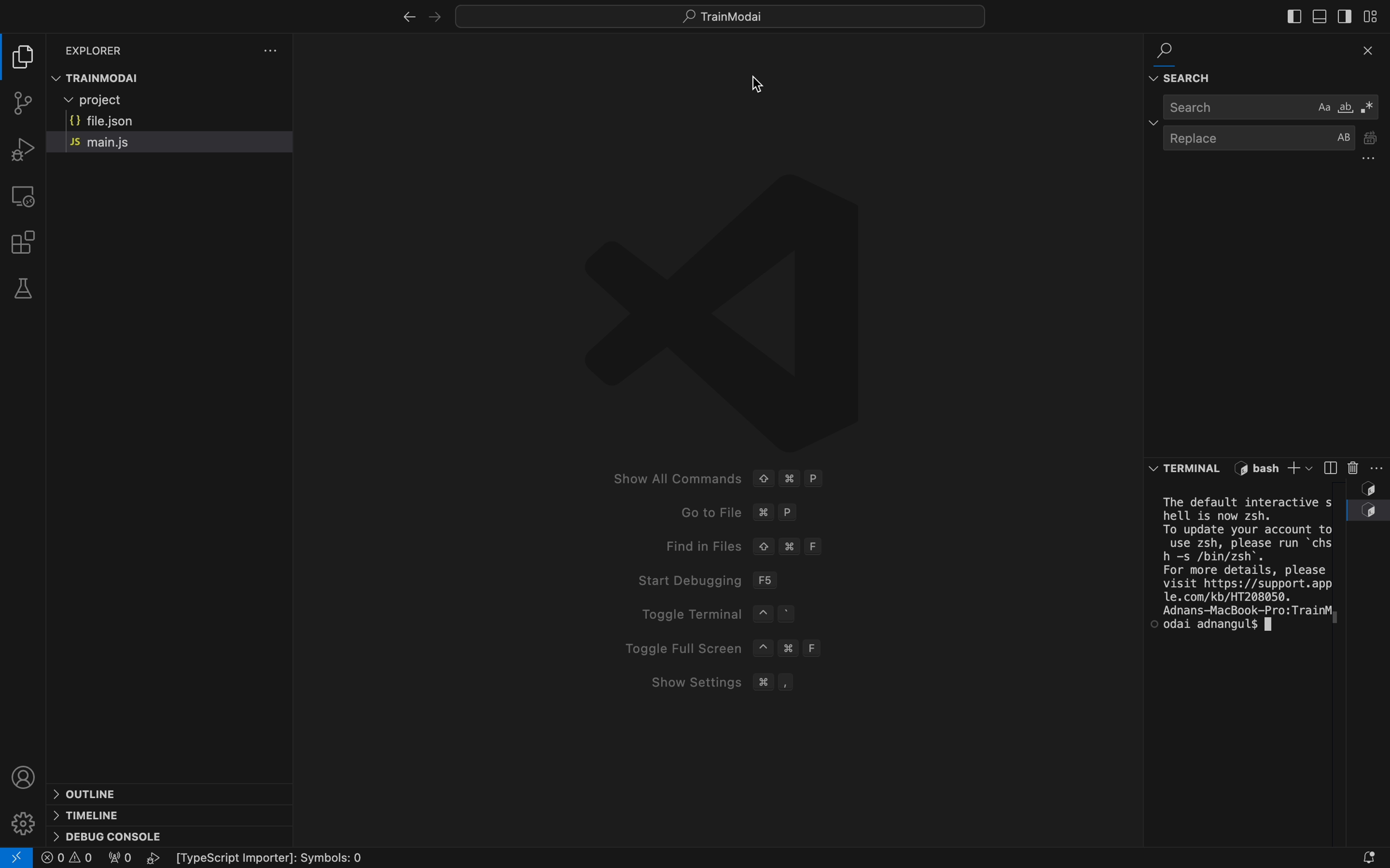 This screenshot has width=1390, height=868. I want to click on Go to file, so click(797, 514).